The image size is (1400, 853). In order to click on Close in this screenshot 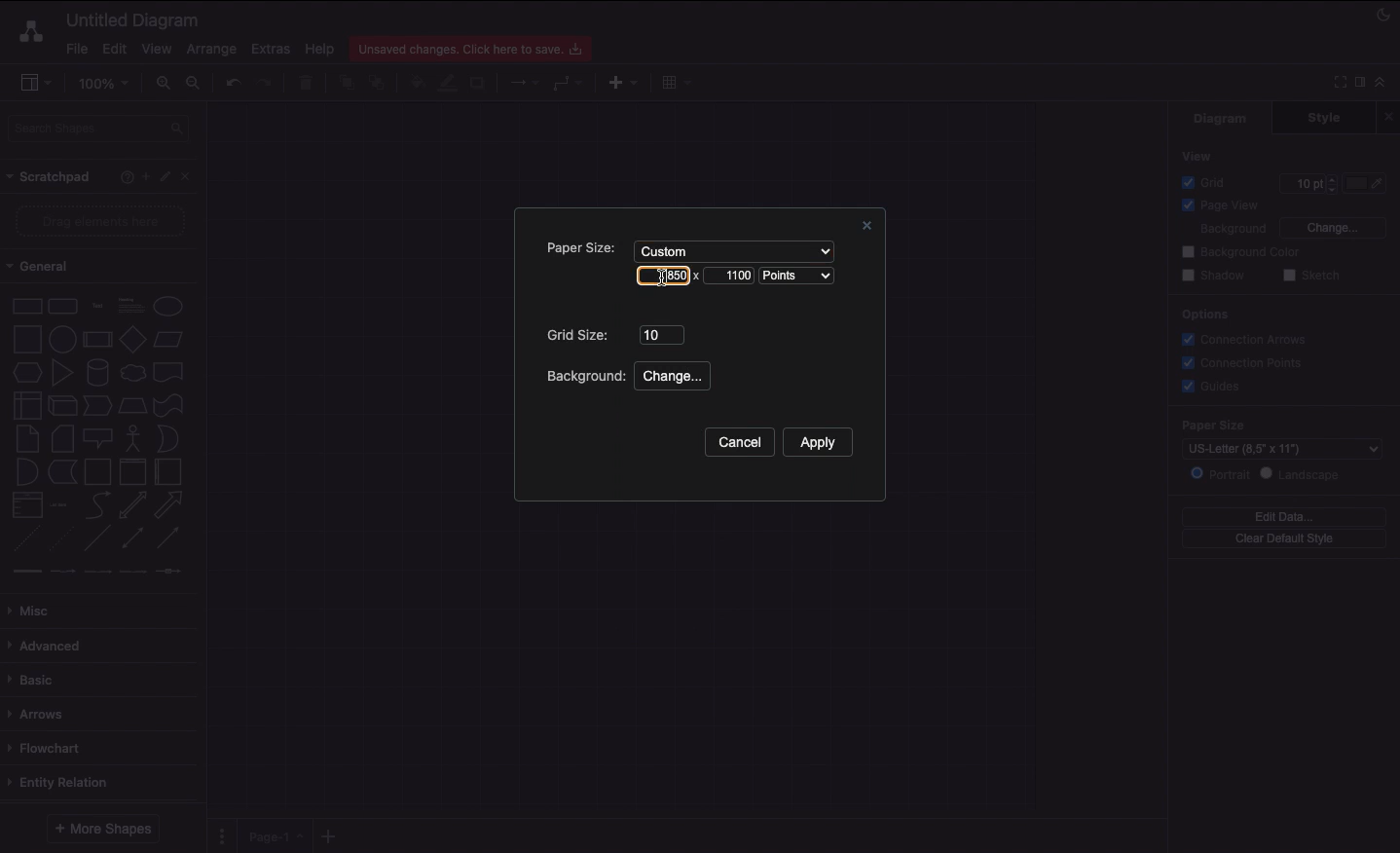, I will do `click(1391, 116)`.